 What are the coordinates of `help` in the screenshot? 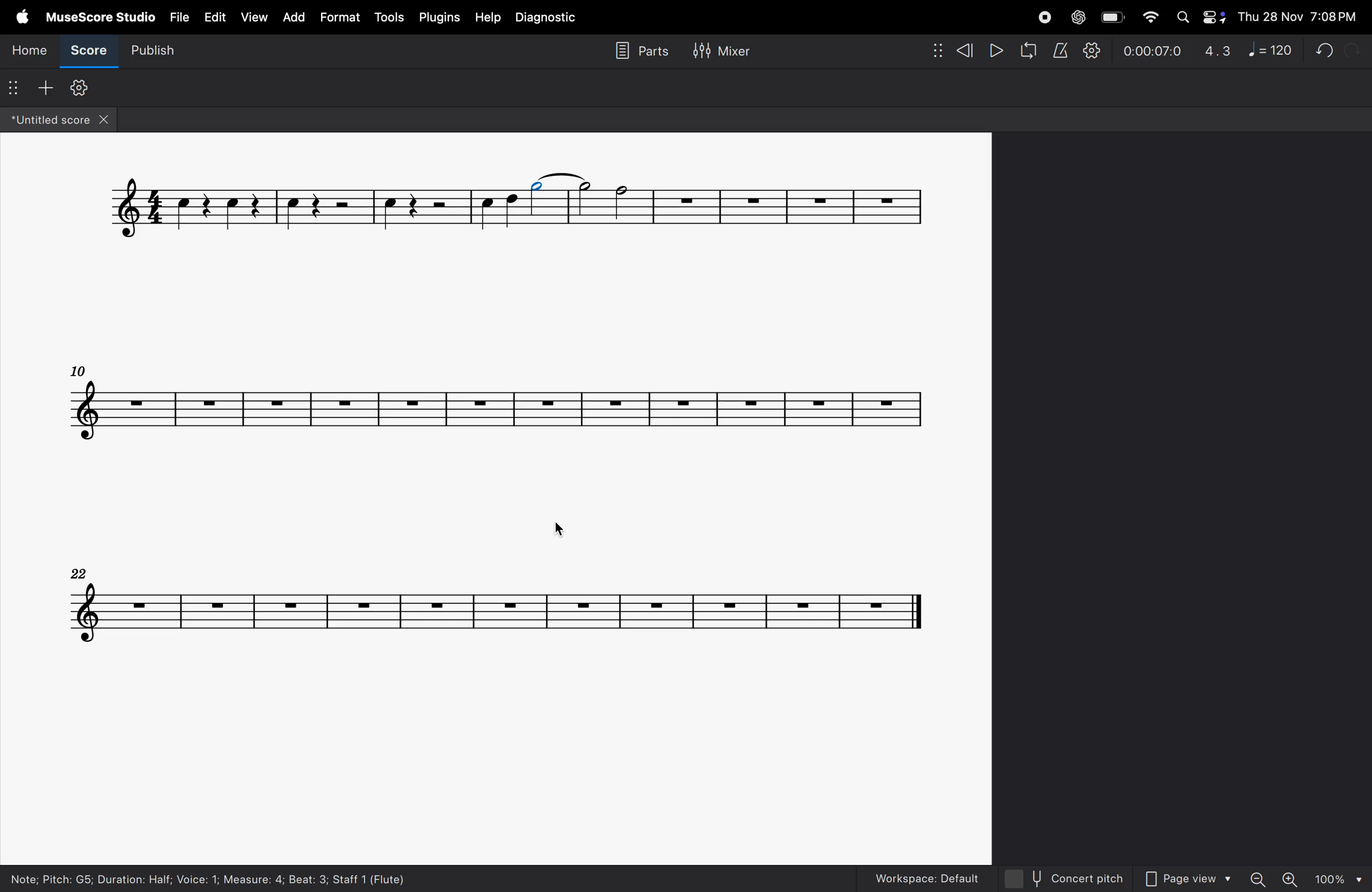 It's located at (490, 17).